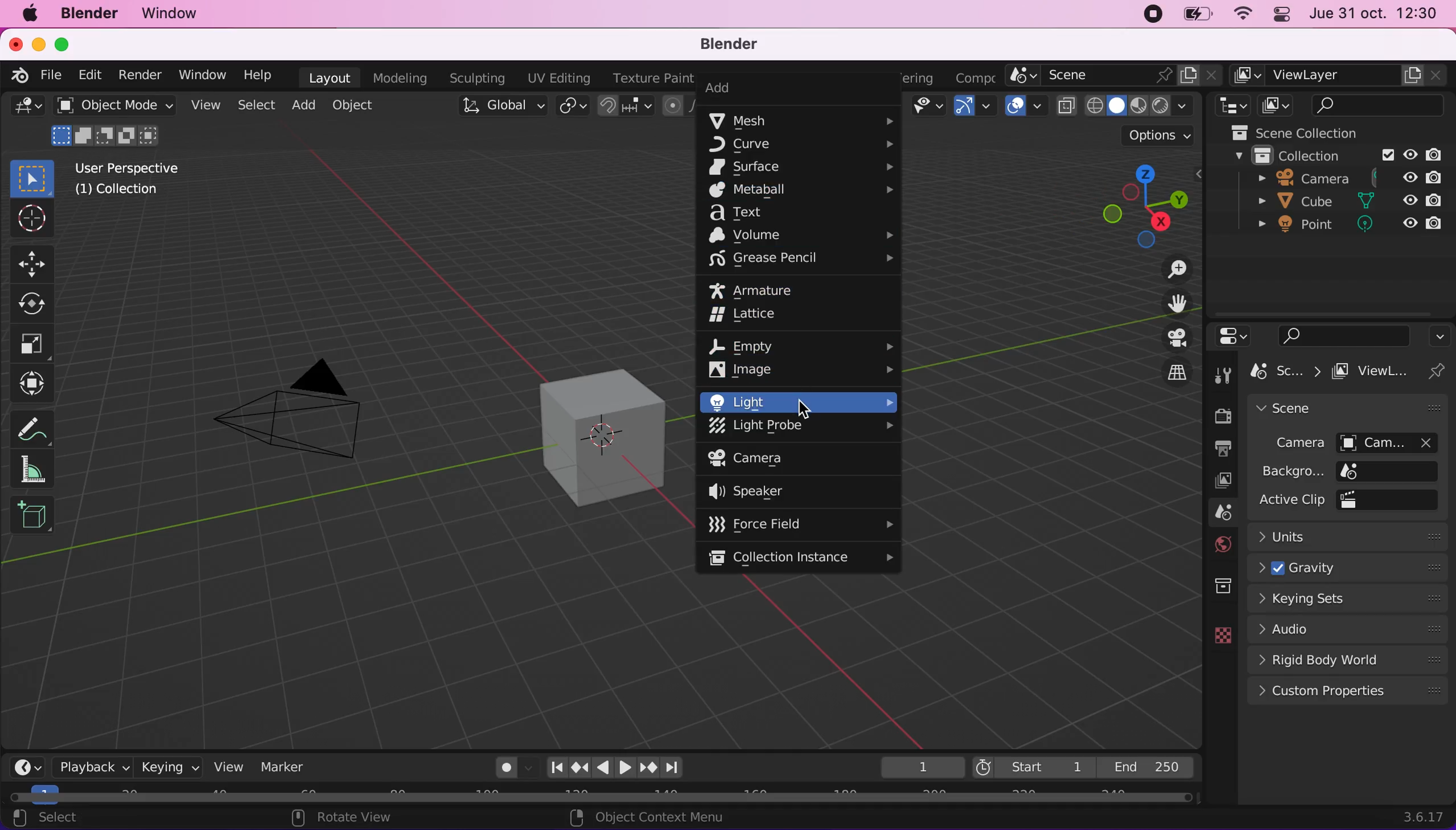 This screenshot has height=830, width=1456. What do you see at coordinates (1198, 14) in the screenshot?
I see `battery` at bounding box center [1198, 14].